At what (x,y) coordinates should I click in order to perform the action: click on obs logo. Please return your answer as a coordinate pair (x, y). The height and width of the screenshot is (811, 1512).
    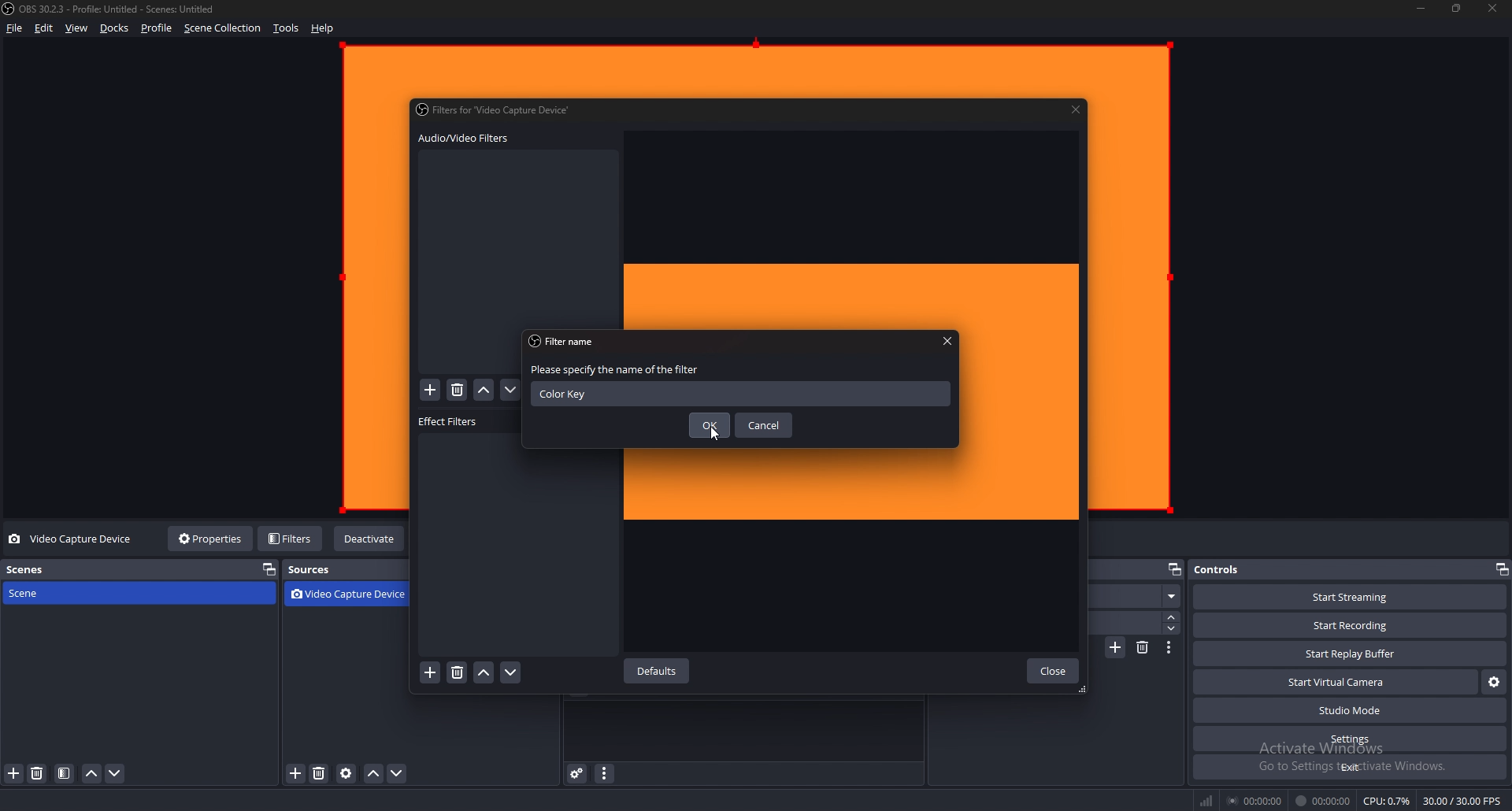
    Looking at the image, I should click on (11, 10).